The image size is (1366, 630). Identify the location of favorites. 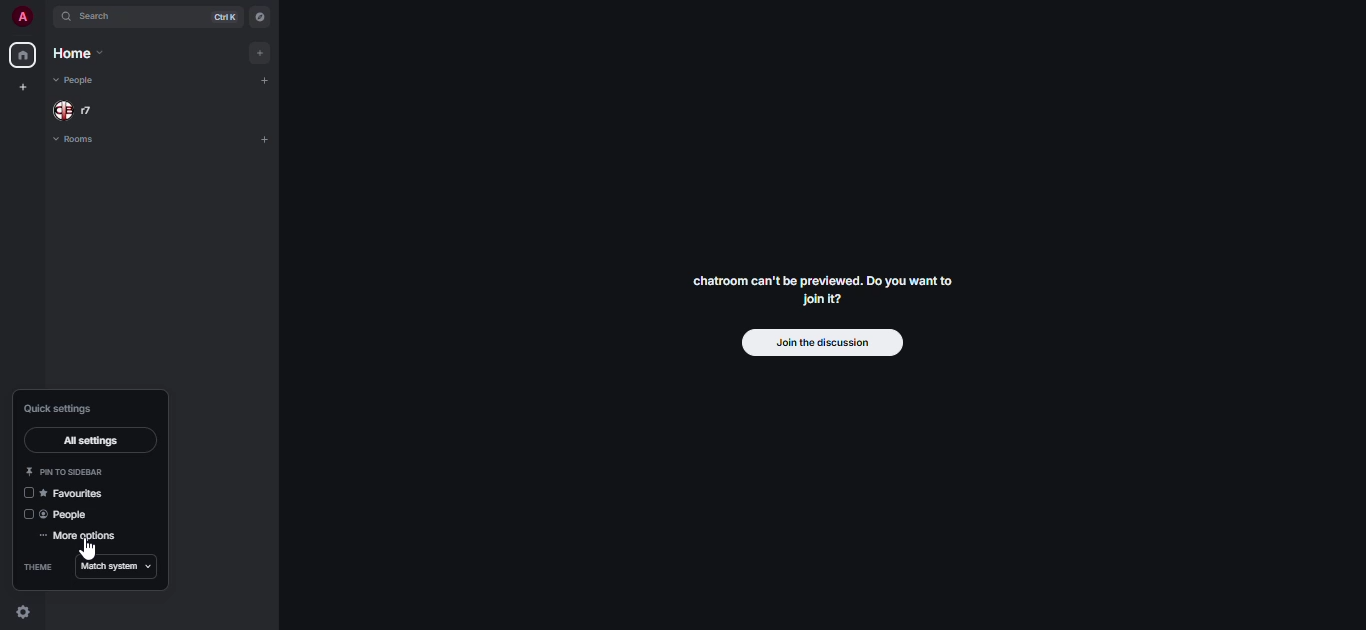
(65, 493).